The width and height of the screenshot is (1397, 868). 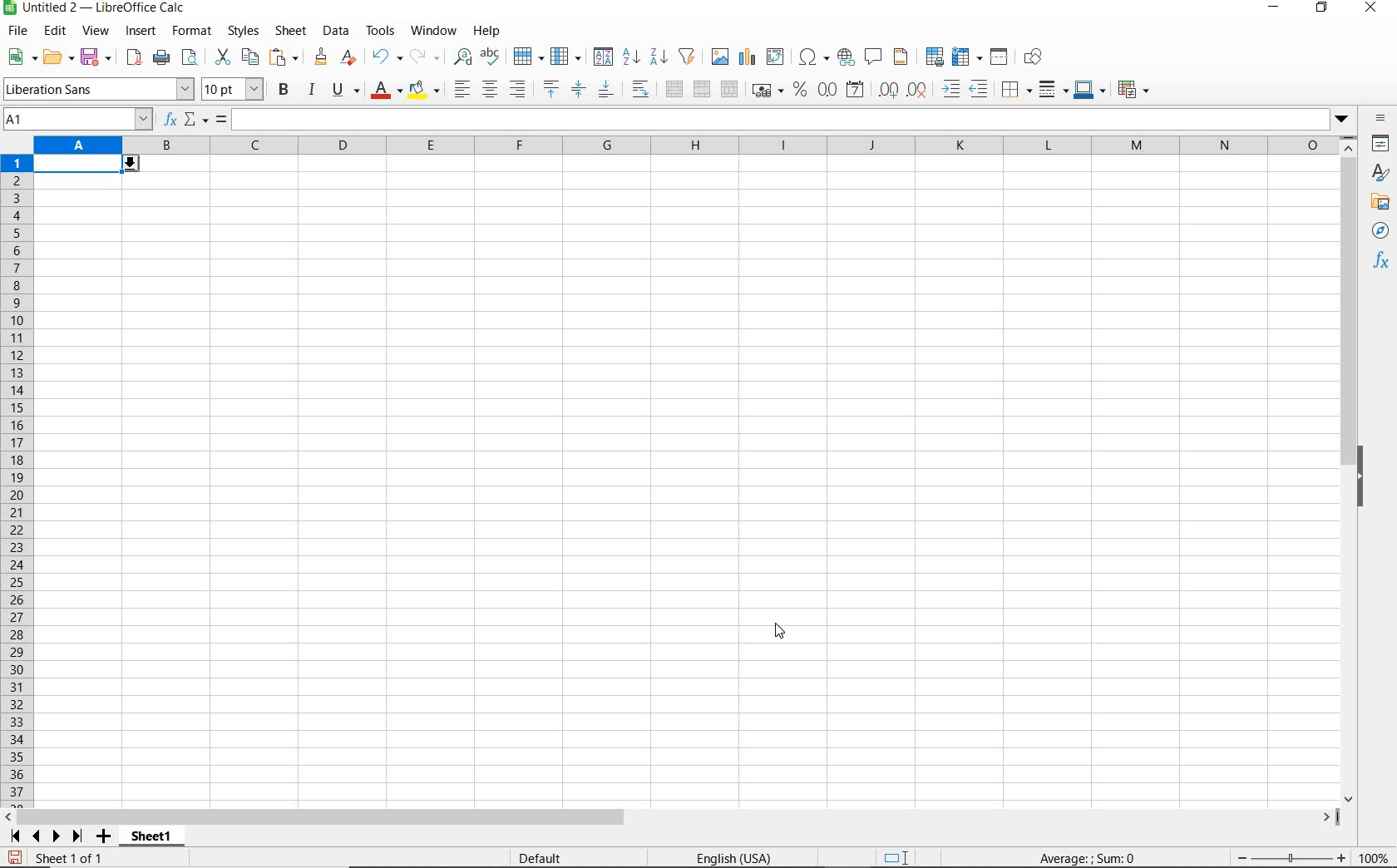 I want to click on align left, so click(x=461, y=91).